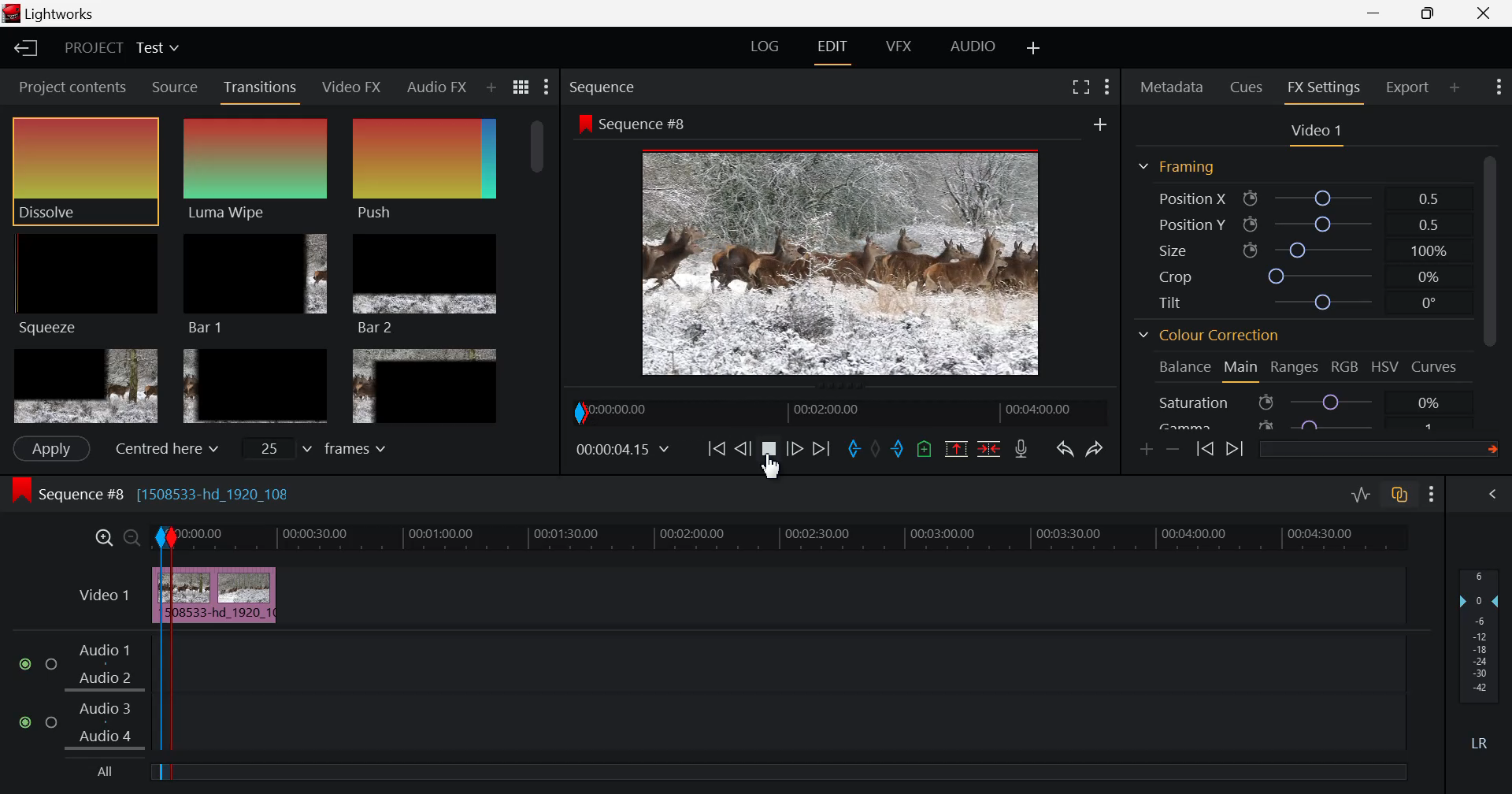 The image size is (1512, 794). Describe the element at coordinates (1324, 90) in the screenshot. I see `FX Settings Open` at that location.